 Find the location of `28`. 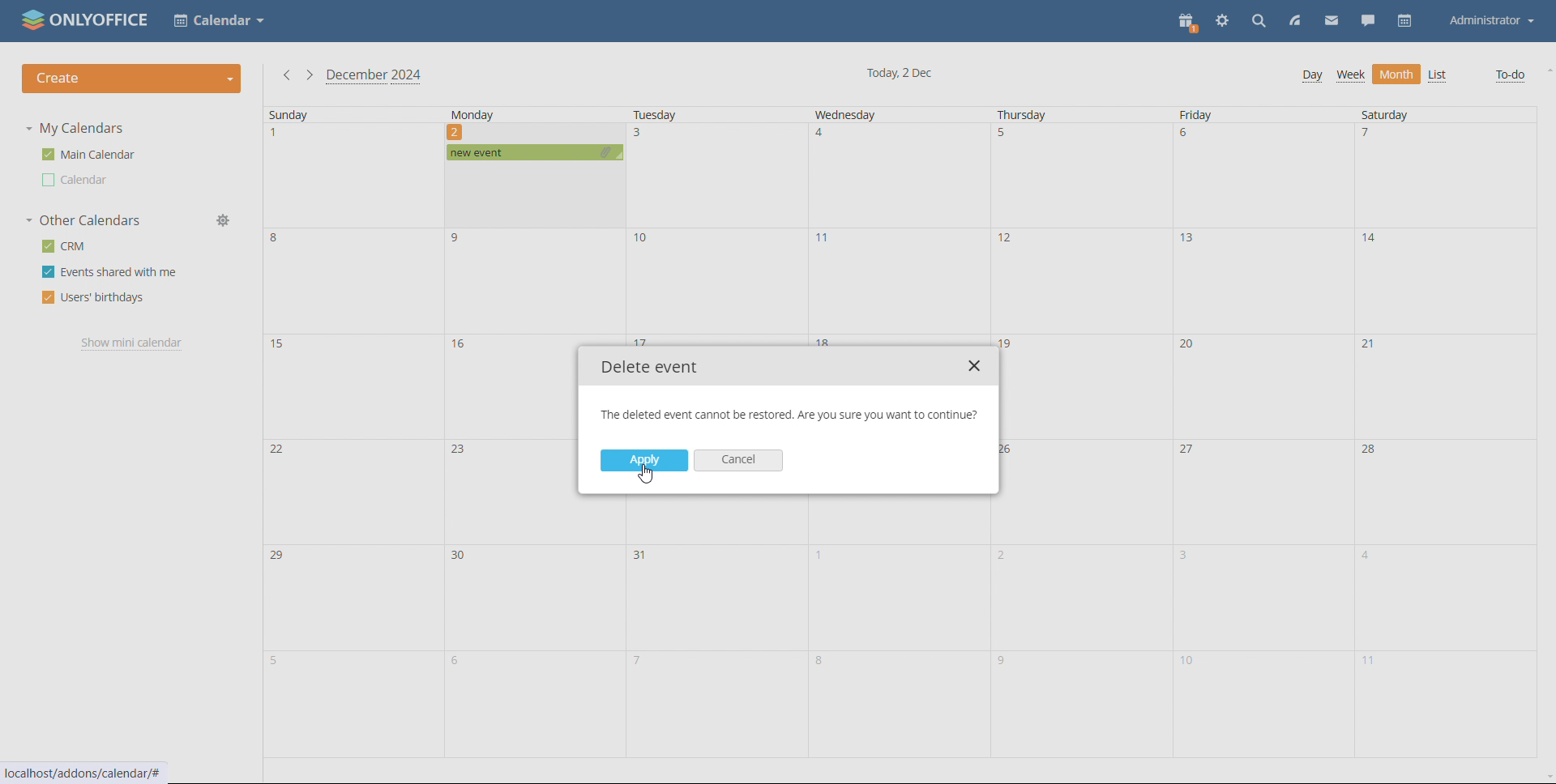

28 is located at coordinates (1373, 451).